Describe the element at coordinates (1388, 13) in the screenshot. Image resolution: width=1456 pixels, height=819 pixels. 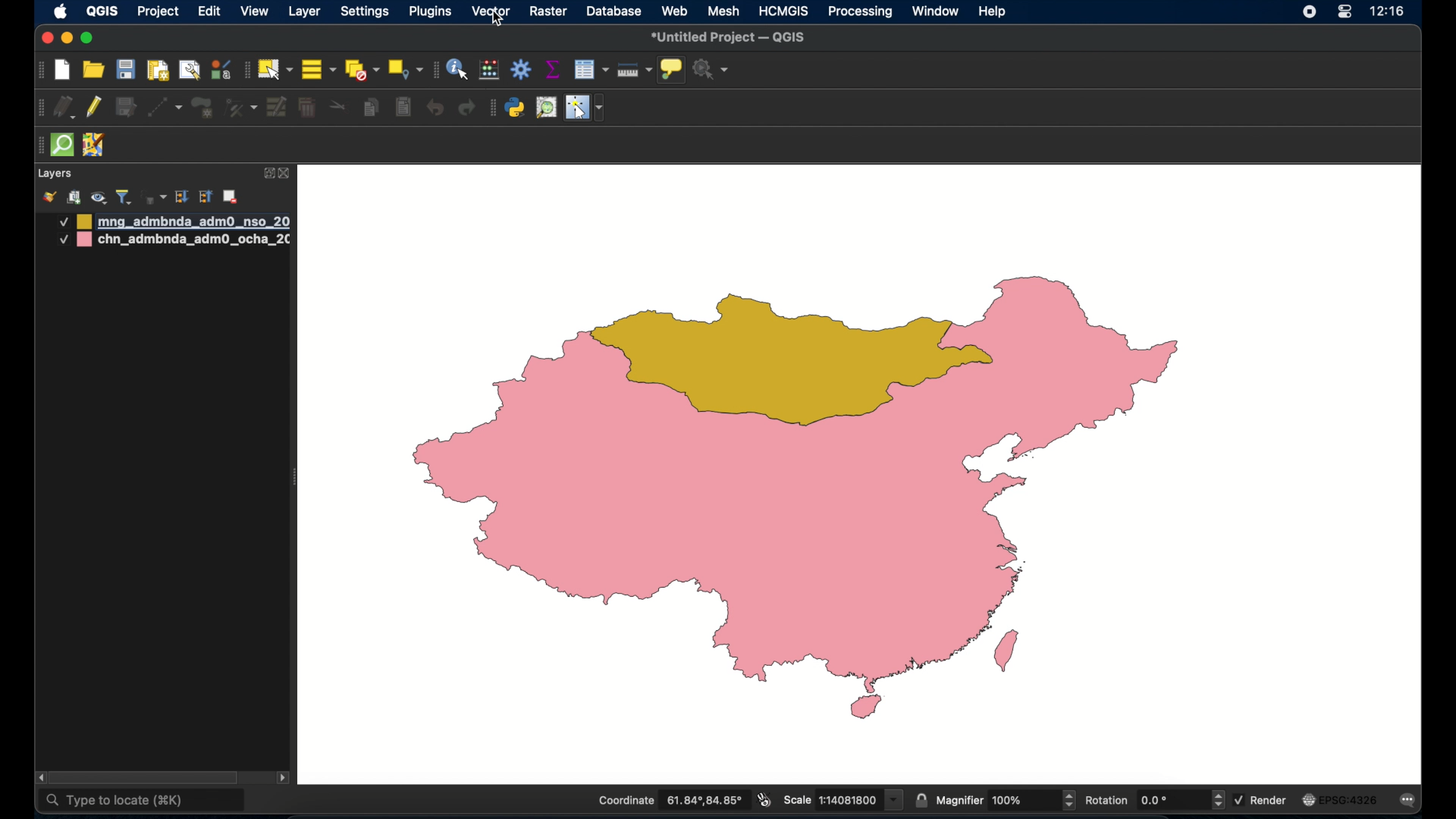
I see `time` at that location.